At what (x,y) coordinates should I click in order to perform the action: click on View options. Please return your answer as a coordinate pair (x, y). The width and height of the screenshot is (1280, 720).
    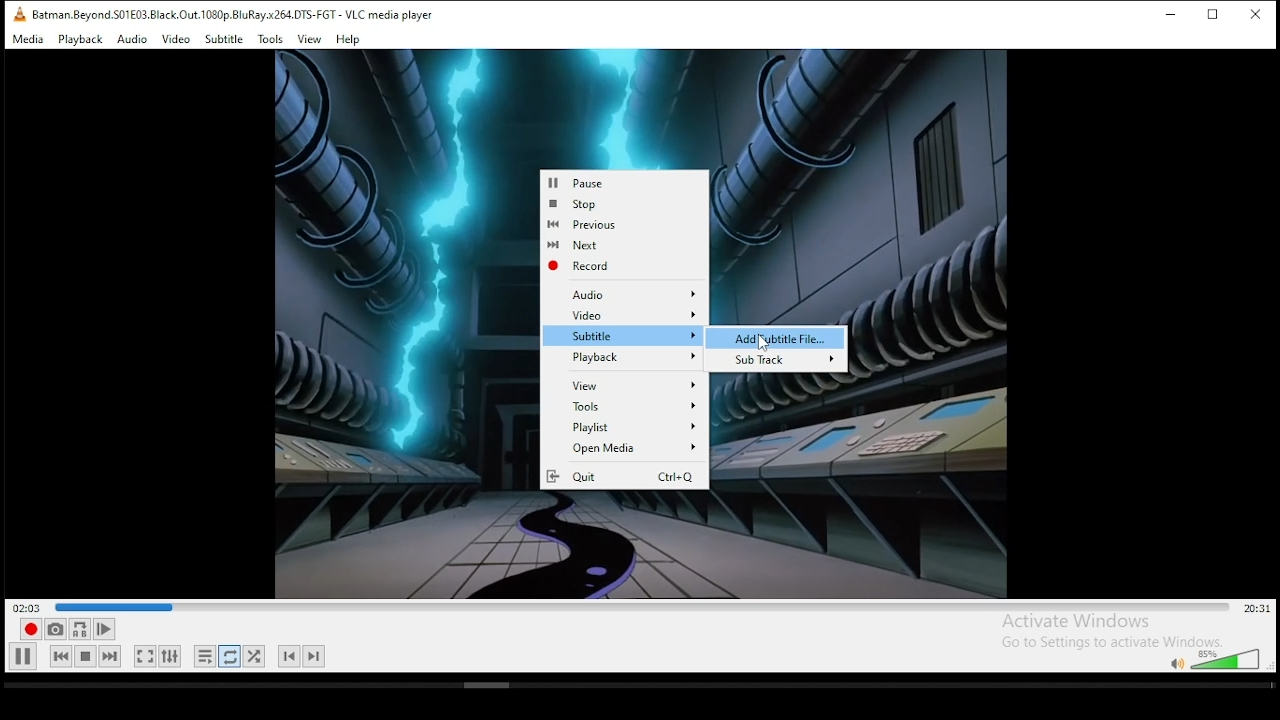
    Looking at the image, I should click on (628, 384).